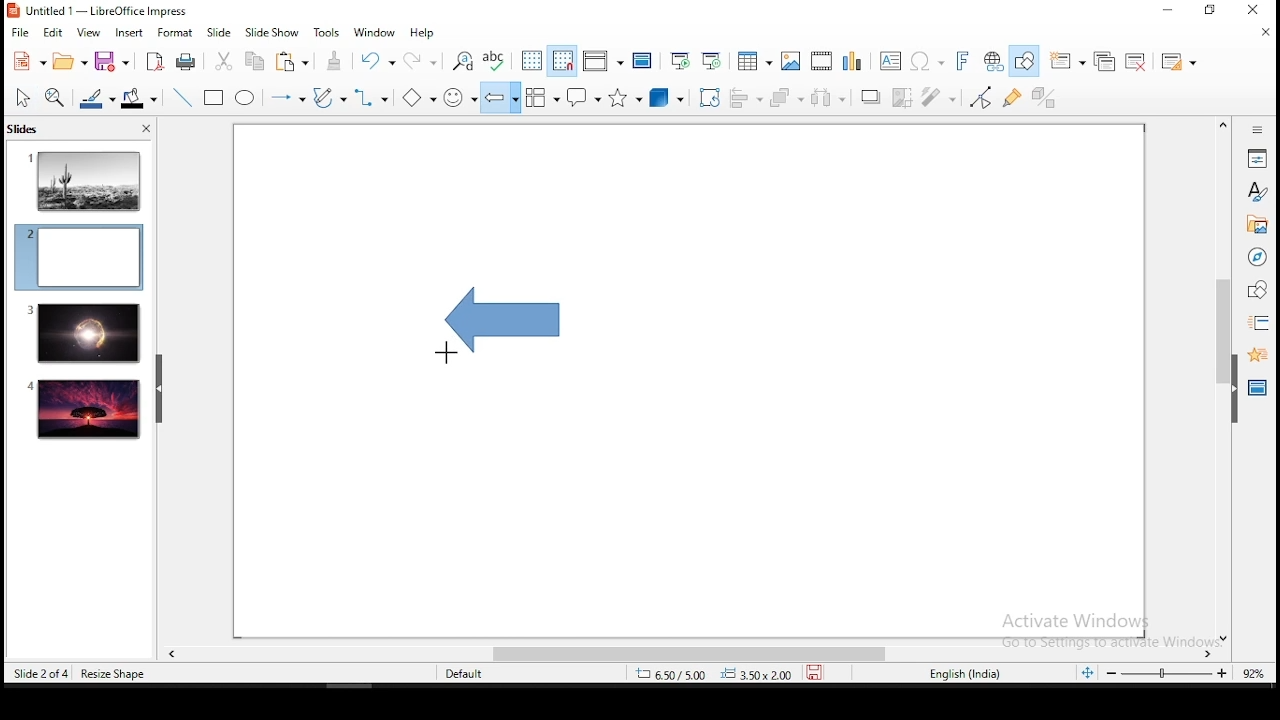 The width and height of the screenshot is (1280, 720). What do you see at coordinates (138, 100) in the screenshot?
I see `shape fill` at bounding box center [138, 100].